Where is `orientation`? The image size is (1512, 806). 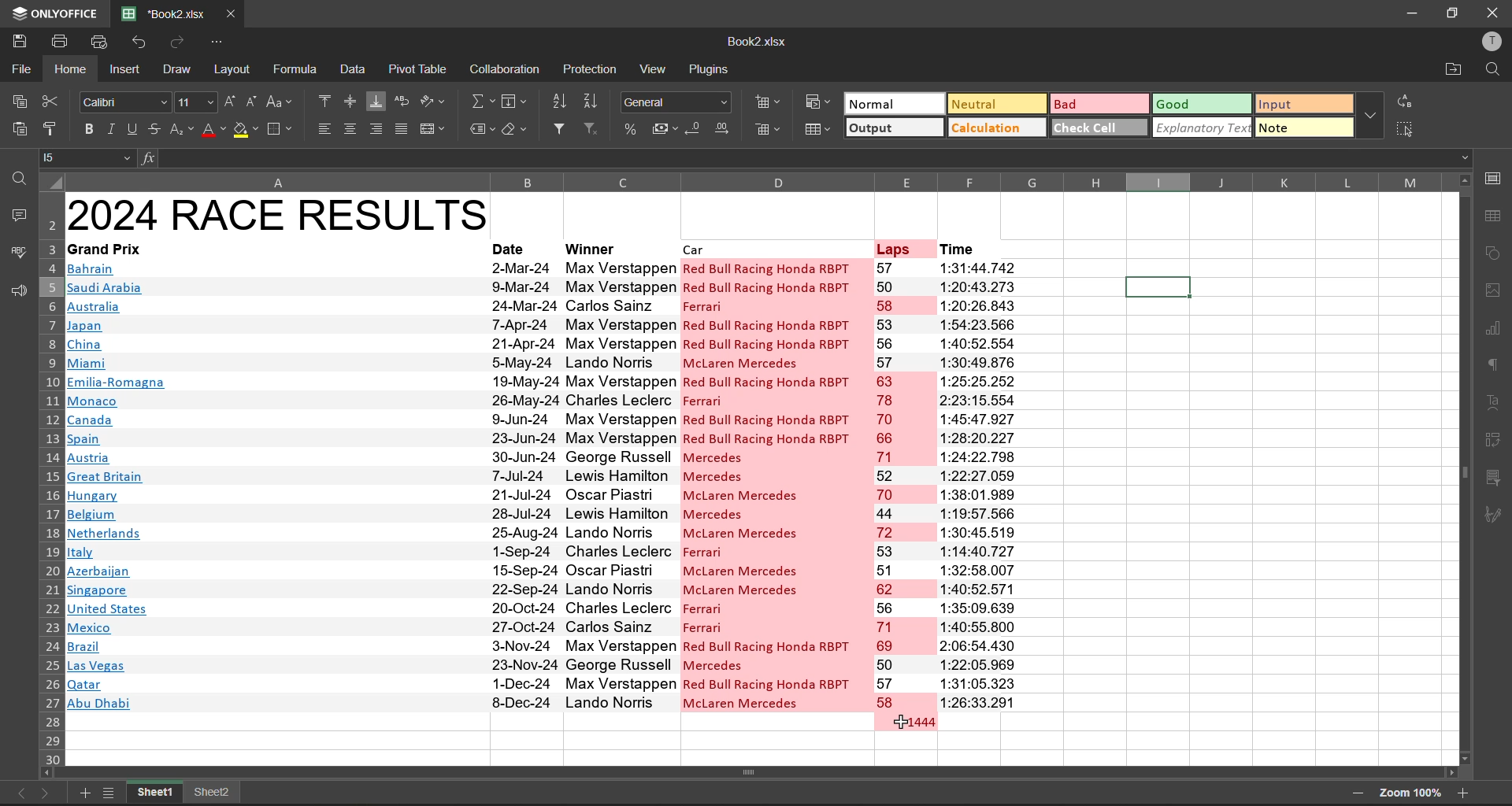 orientation is located at coordinates (434, 103).